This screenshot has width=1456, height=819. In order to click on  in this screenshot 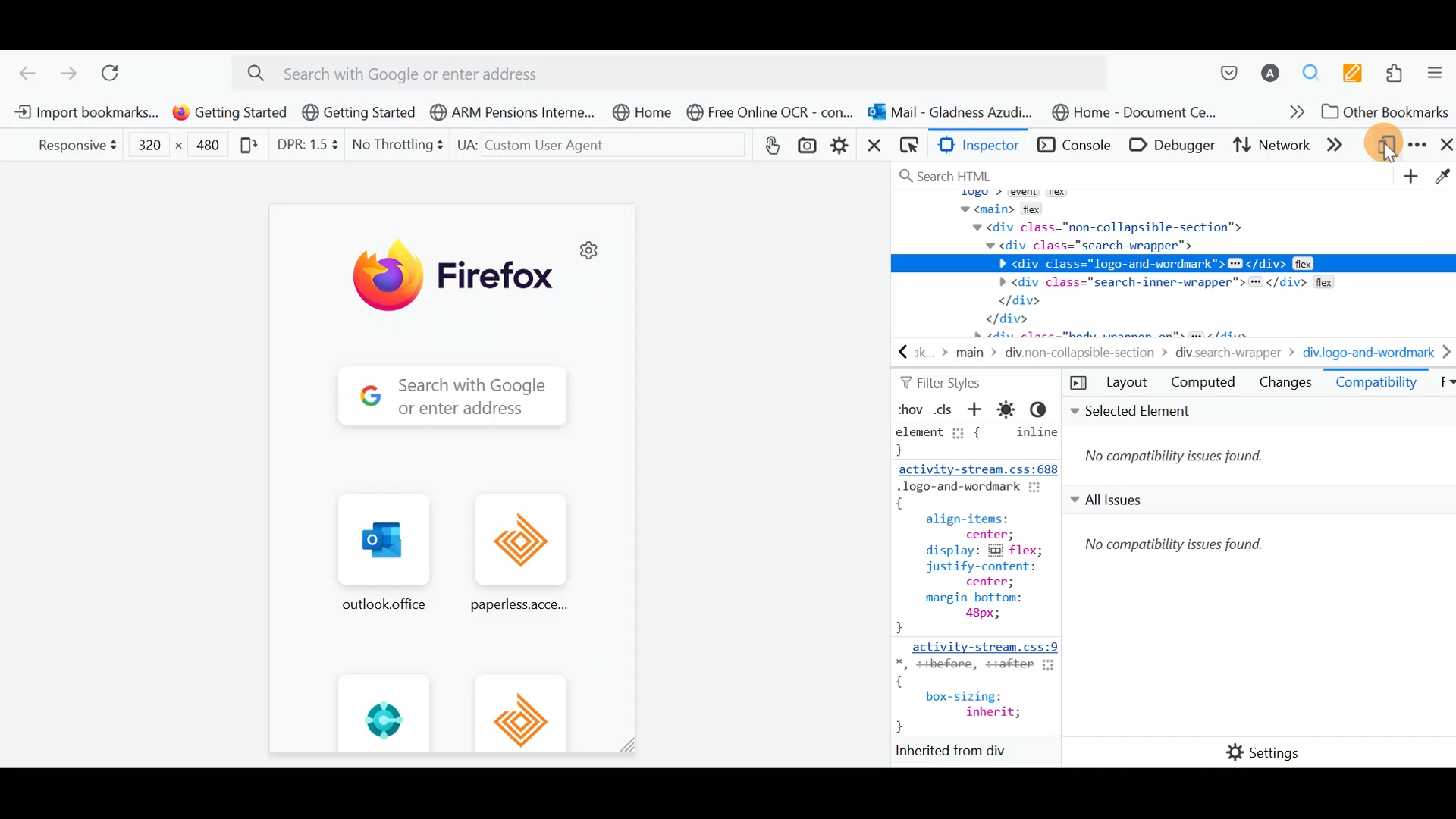, I will do `click(1173, 353)`.